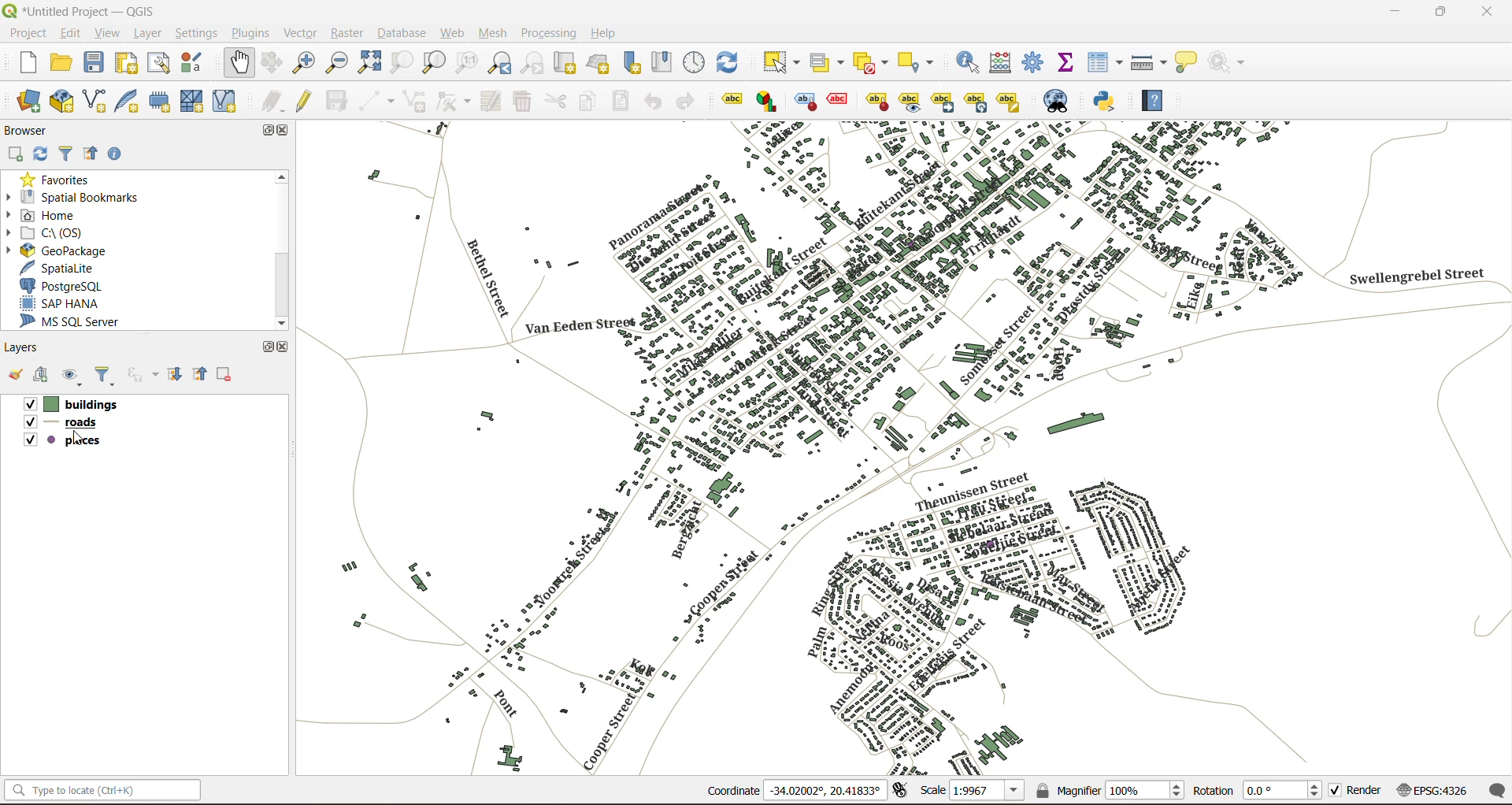 This screenshot has height=805, width=1512. What do you see at coordinates (1440, 15) in the screenshot?
I see `maximize` at bounding box center [1440, 15].